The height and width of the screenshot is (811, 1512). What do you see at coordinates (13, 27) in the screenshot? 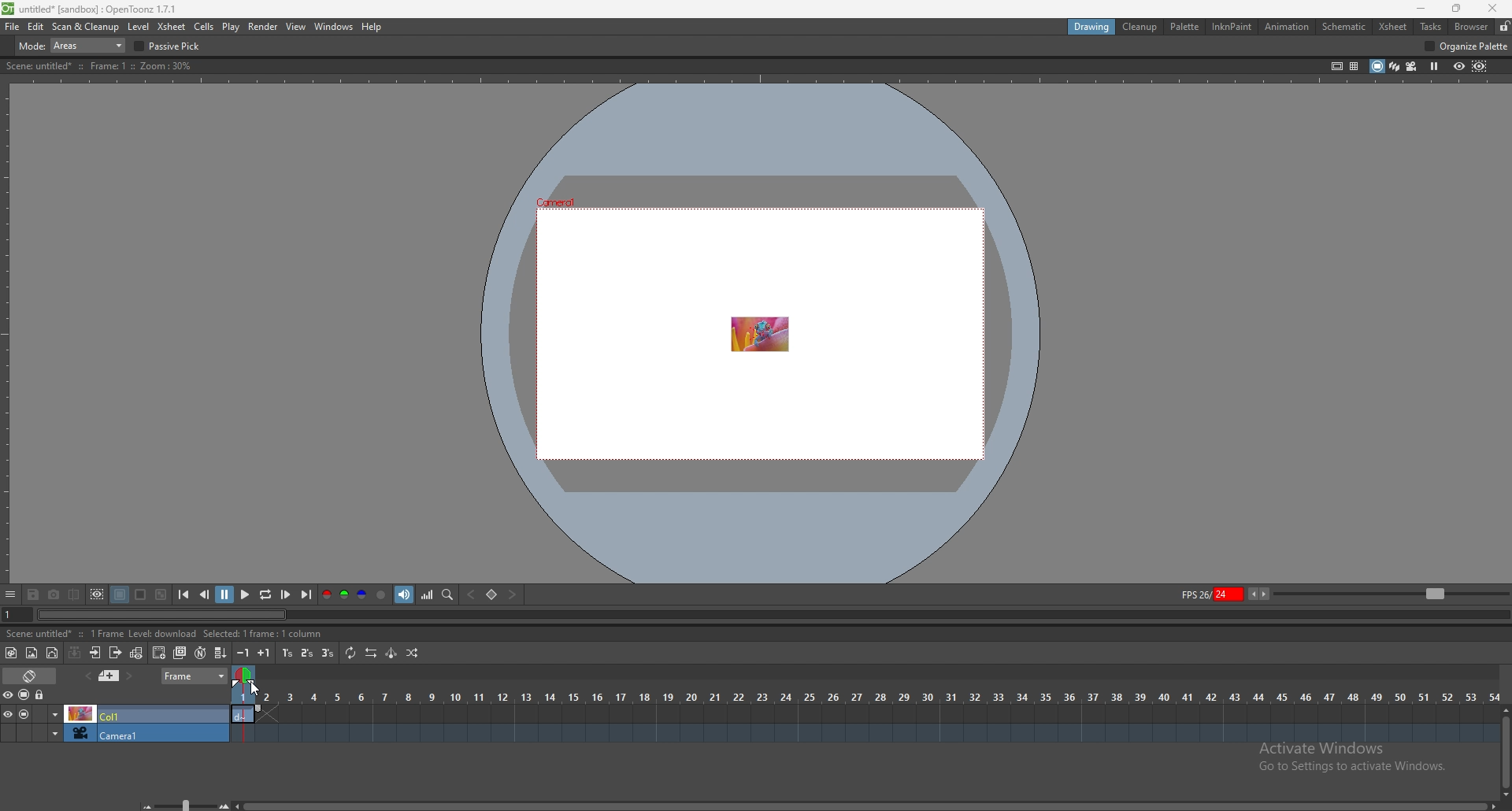
I see `file` at bounding box center [13, 27].